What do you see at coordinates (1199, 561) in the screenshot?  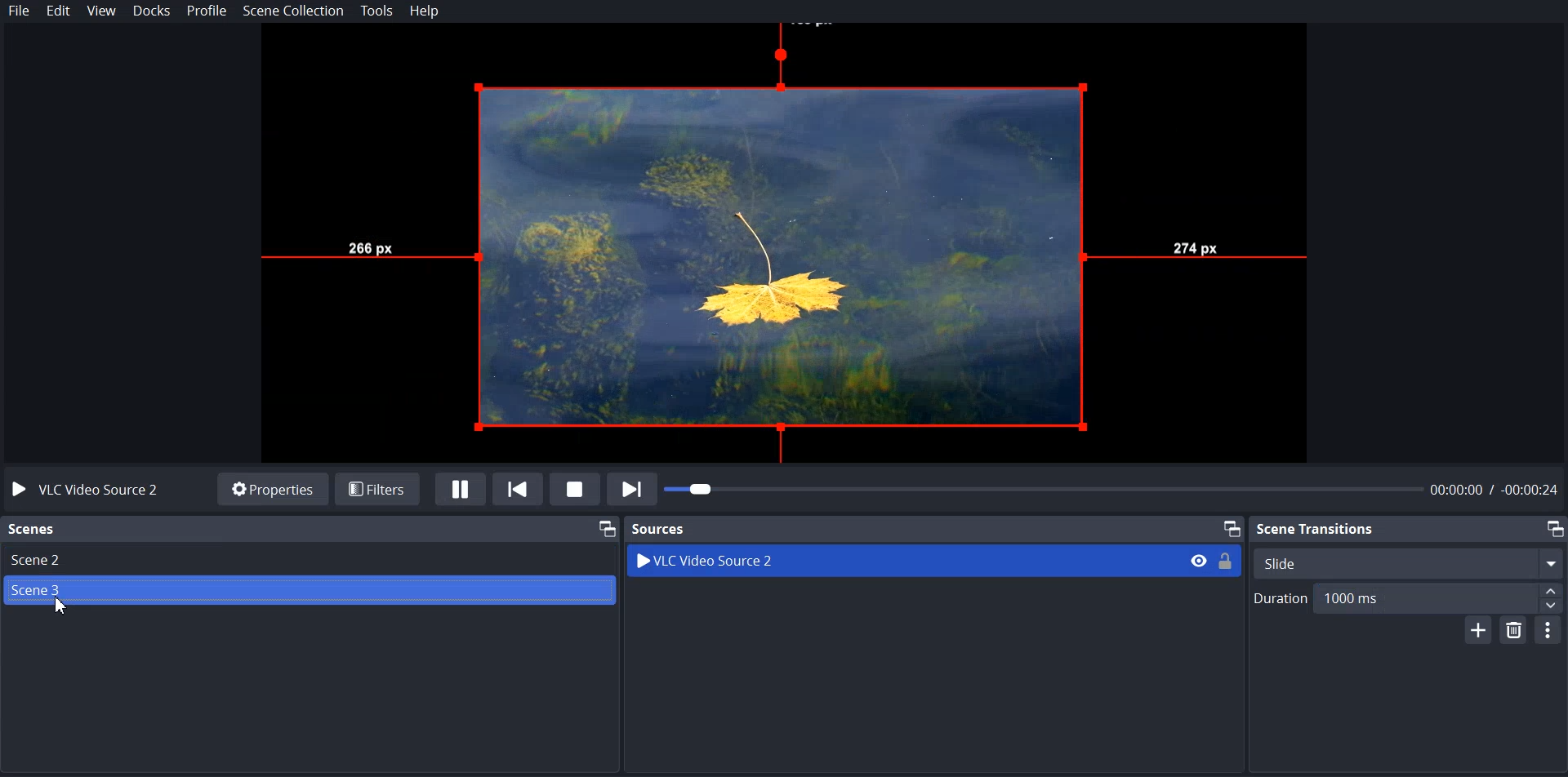 I see `hide/display` at bounding box center [1199, 561].